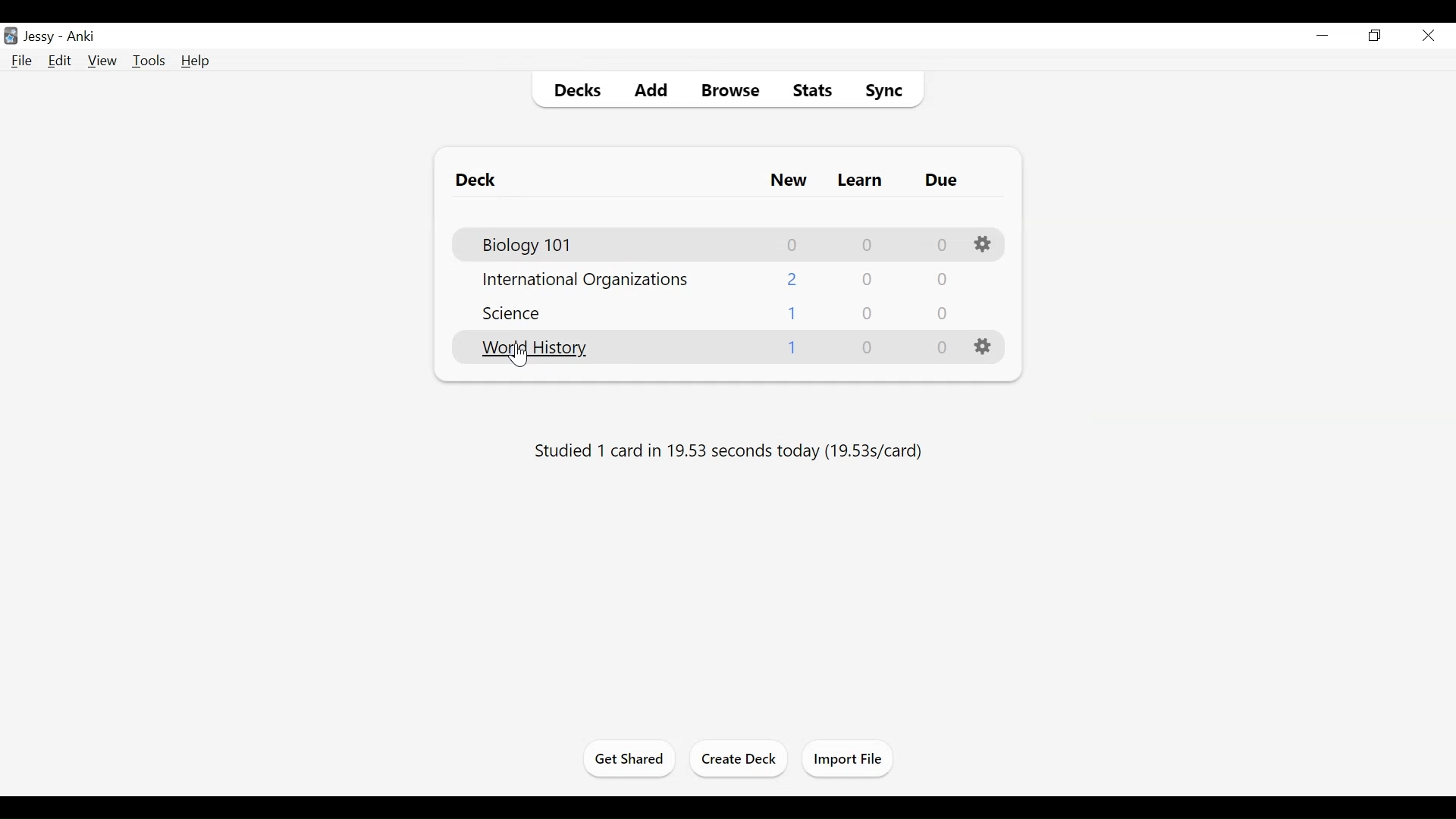  I want to click on New Card Count, so click(794, 313).